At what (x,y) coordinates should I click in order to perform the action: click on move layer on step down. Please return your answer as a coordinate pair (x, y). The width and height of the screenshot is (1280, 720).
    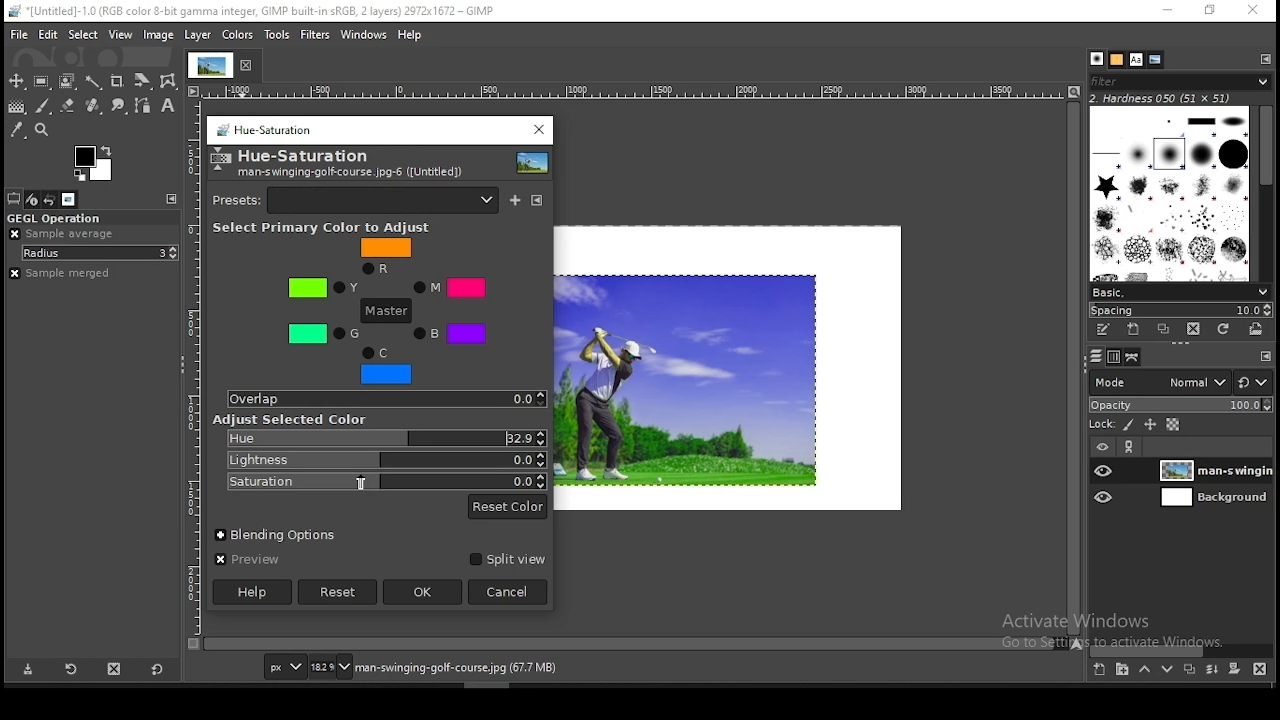
    Looking at the image, I should click on (1167, 669).